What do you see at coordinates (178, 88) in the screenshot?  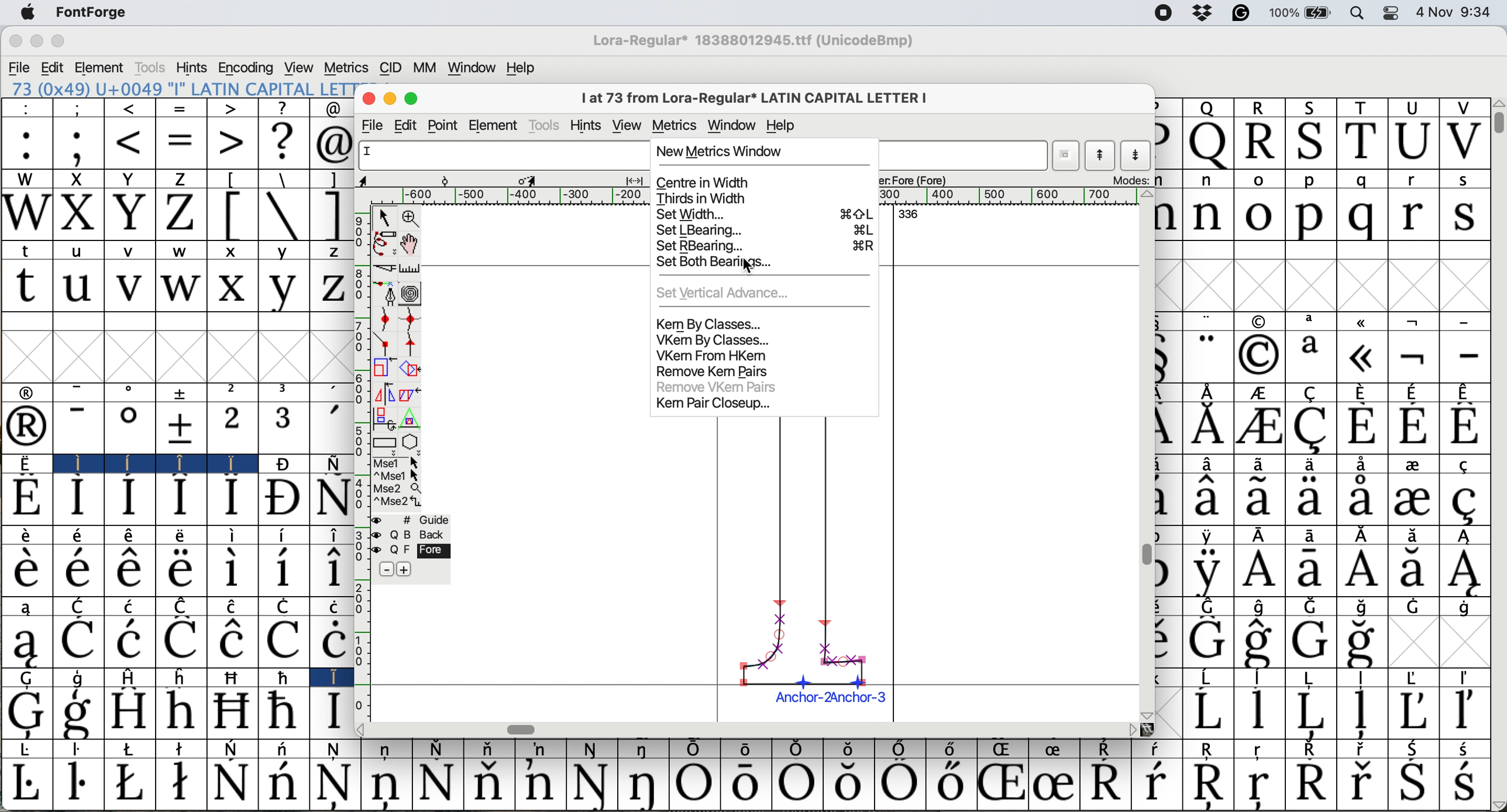 I see `73 (0x49) "I" LATIN CAPITAL LETTER` at bounding box center [178, 88].